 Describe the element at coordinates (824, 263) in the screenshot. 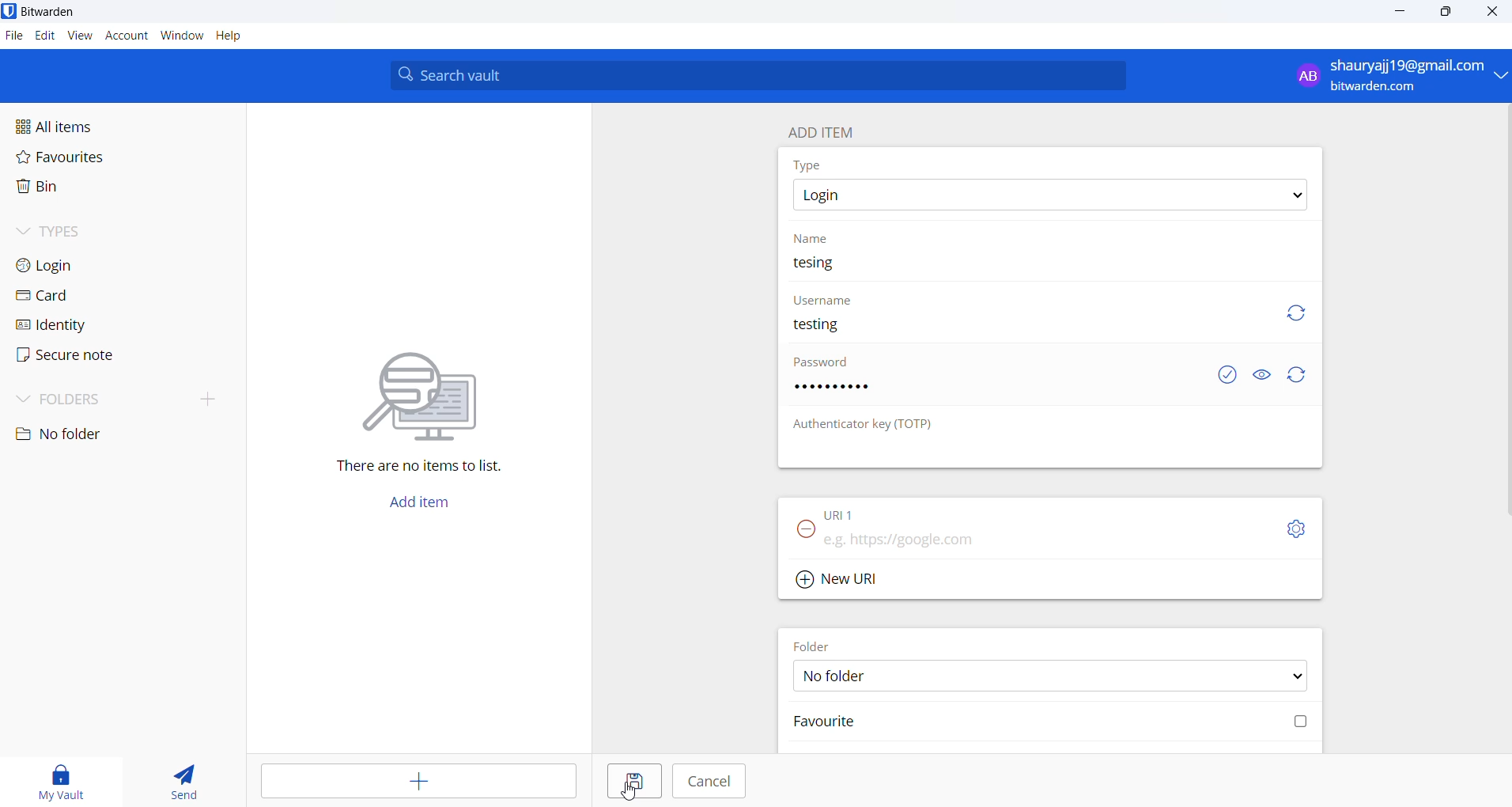

I see `entered entry name` at that location.